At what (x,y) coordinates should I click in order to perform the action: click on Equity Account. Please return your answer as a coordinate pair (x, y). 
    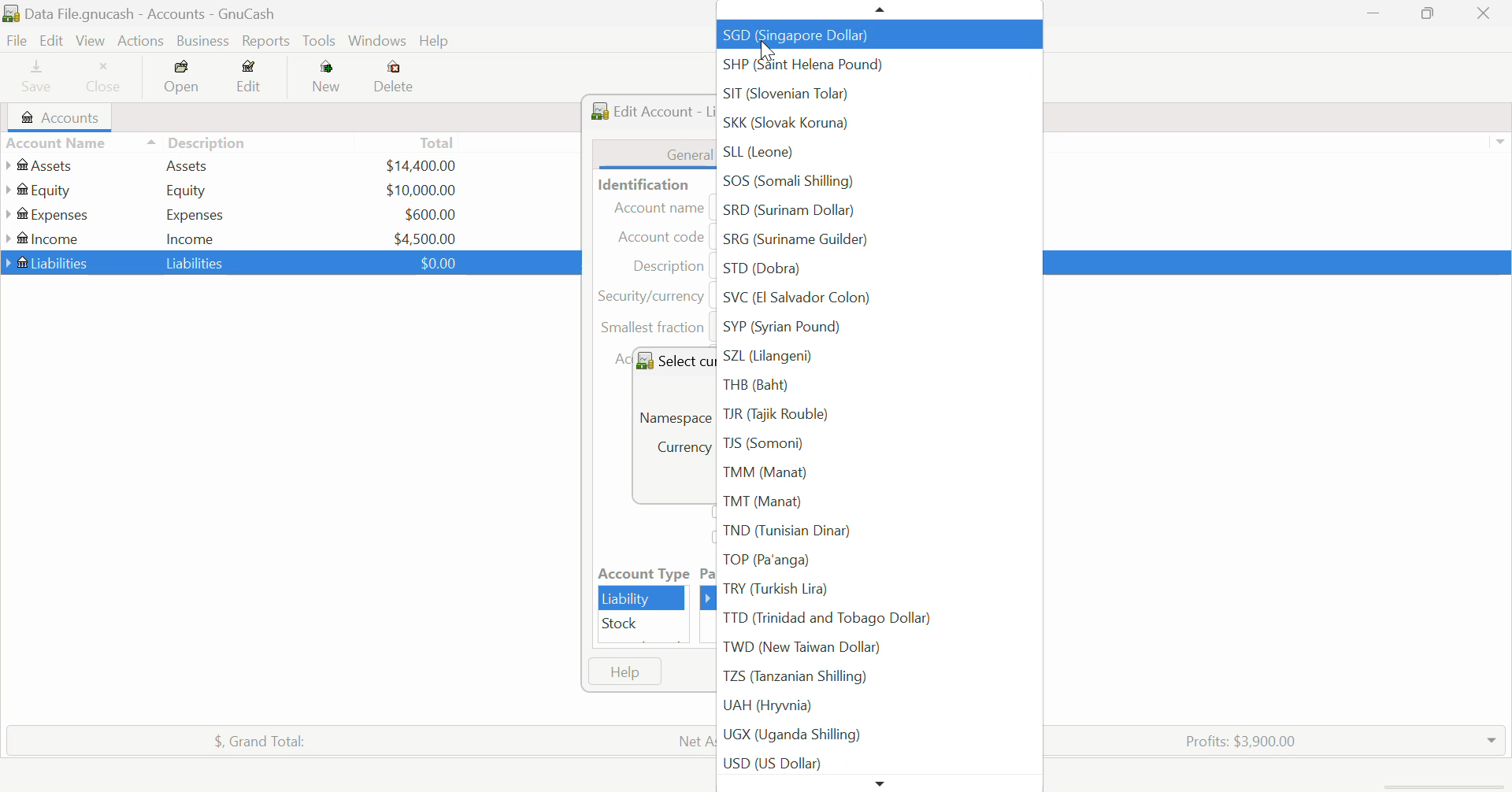
    Looking at the image, I should click on (43, 187).